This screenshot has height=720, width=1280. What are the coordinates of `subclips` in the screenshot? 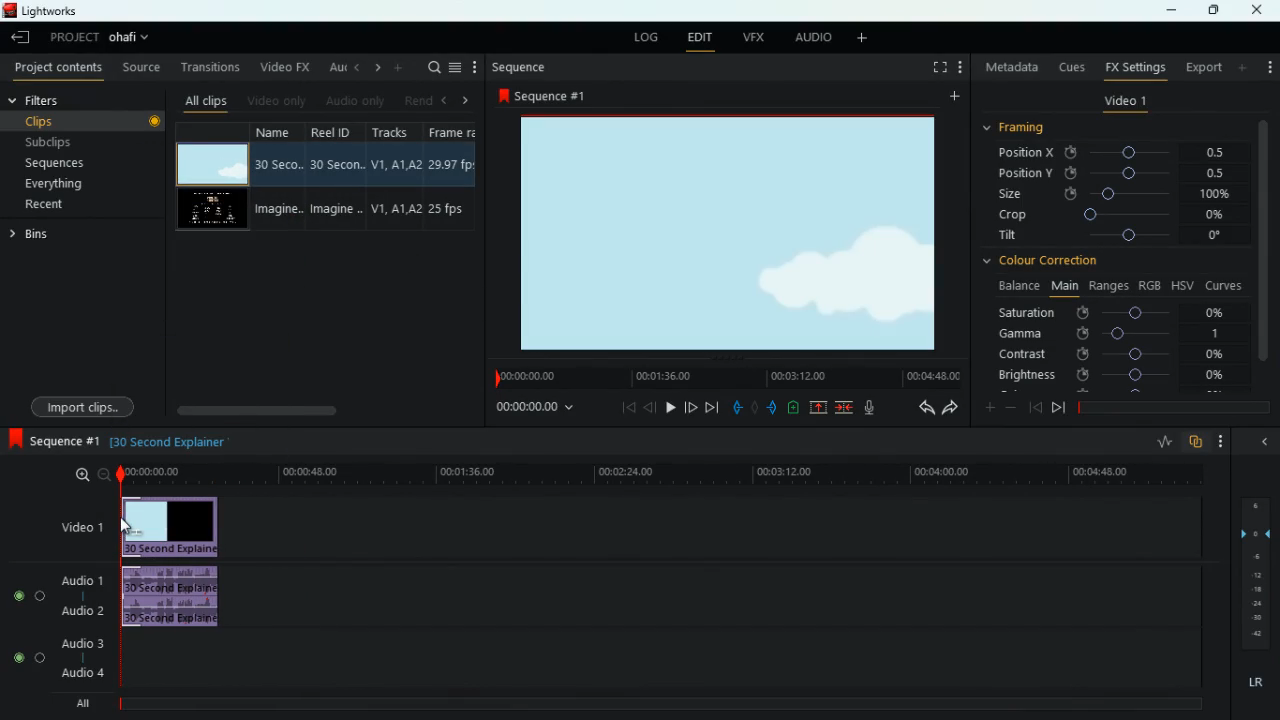 It's located at (54, 141).